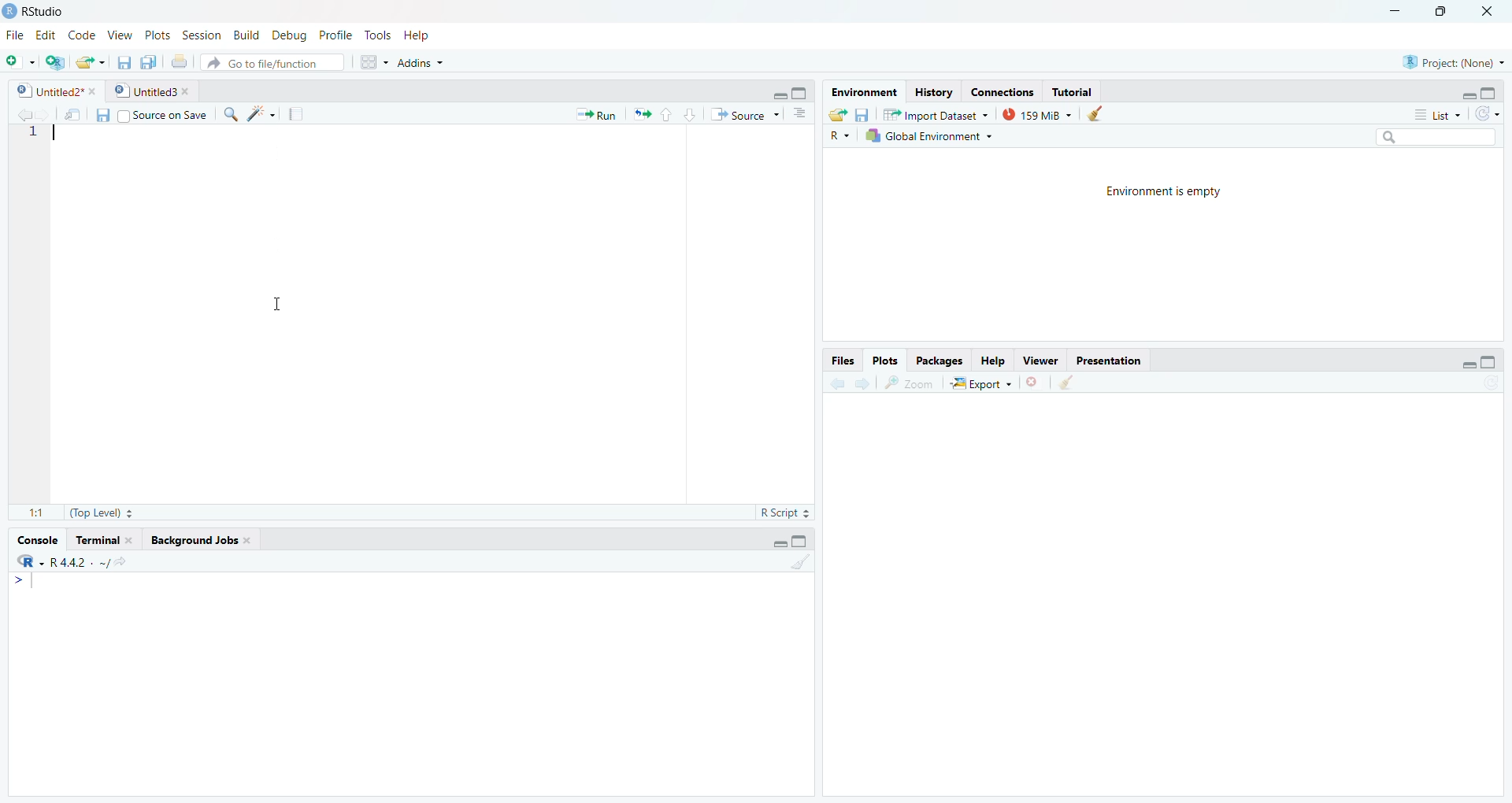 Image resolution: width=1512 pixels, height=803 pixels. I want to click on Go, so click(128, 564).